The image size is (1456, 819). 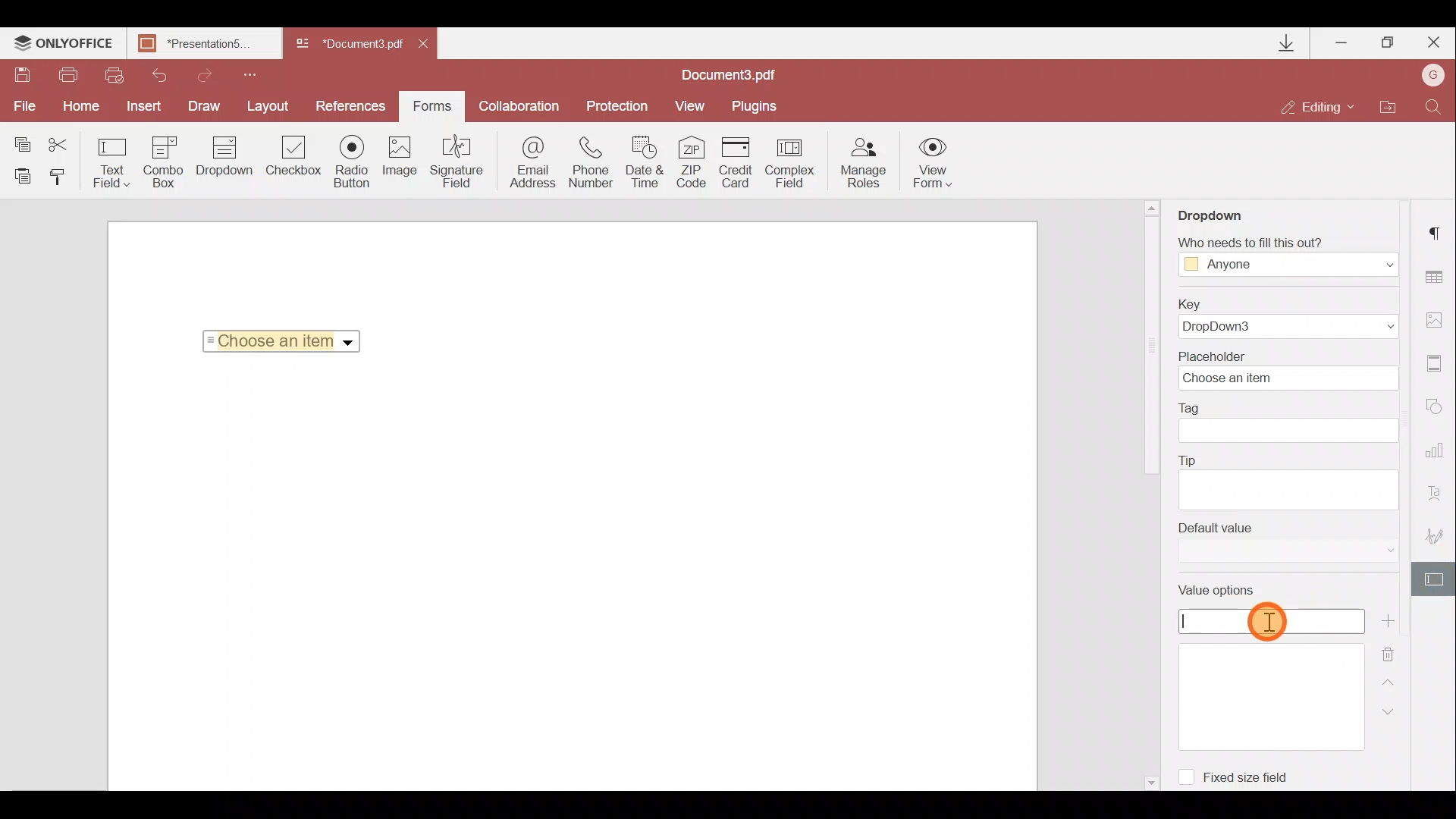 I want to click on Add, so click(x=1387, y=620).